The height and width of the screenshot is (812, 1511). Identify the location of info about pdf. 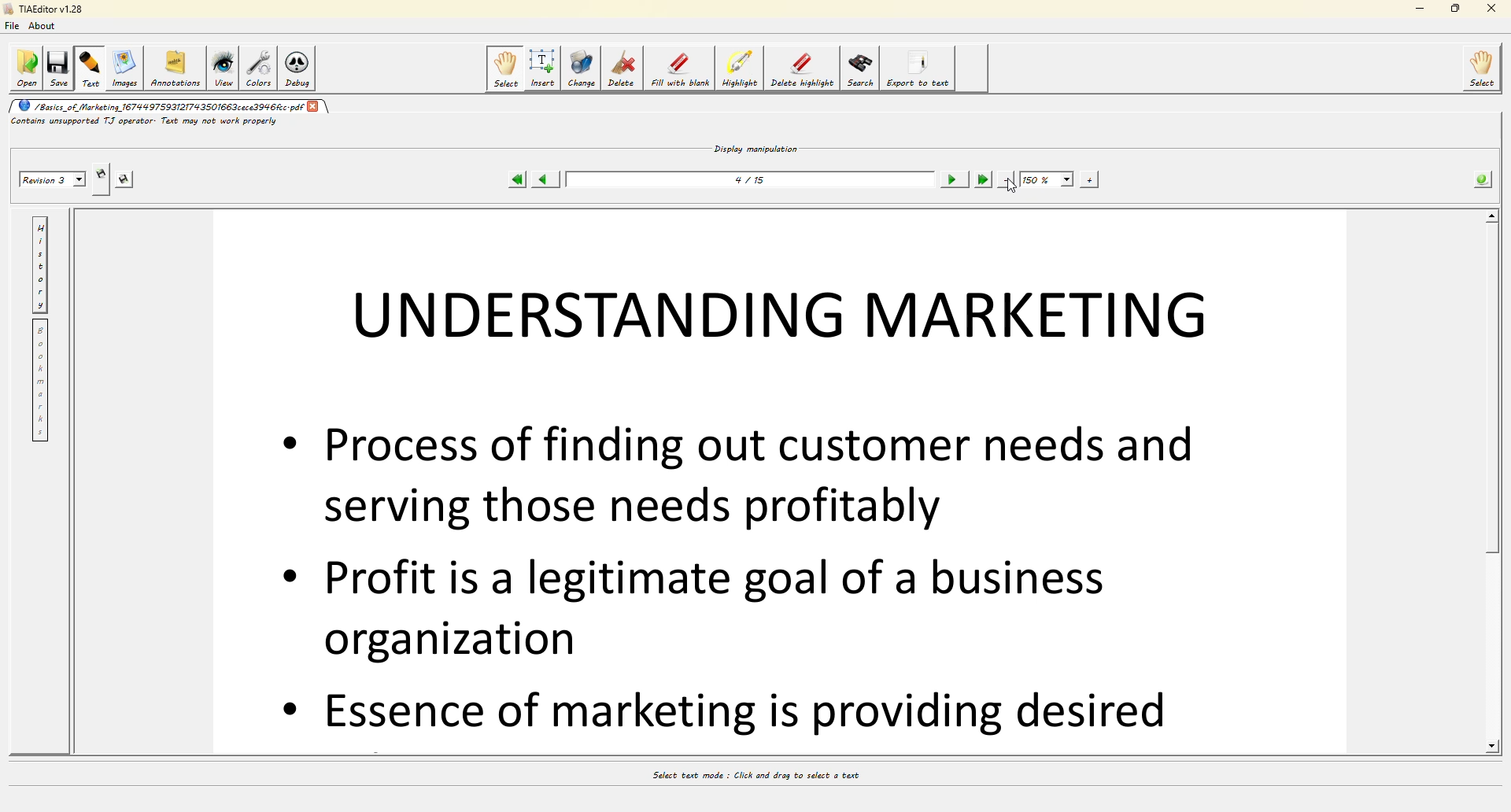
(1481, 179).